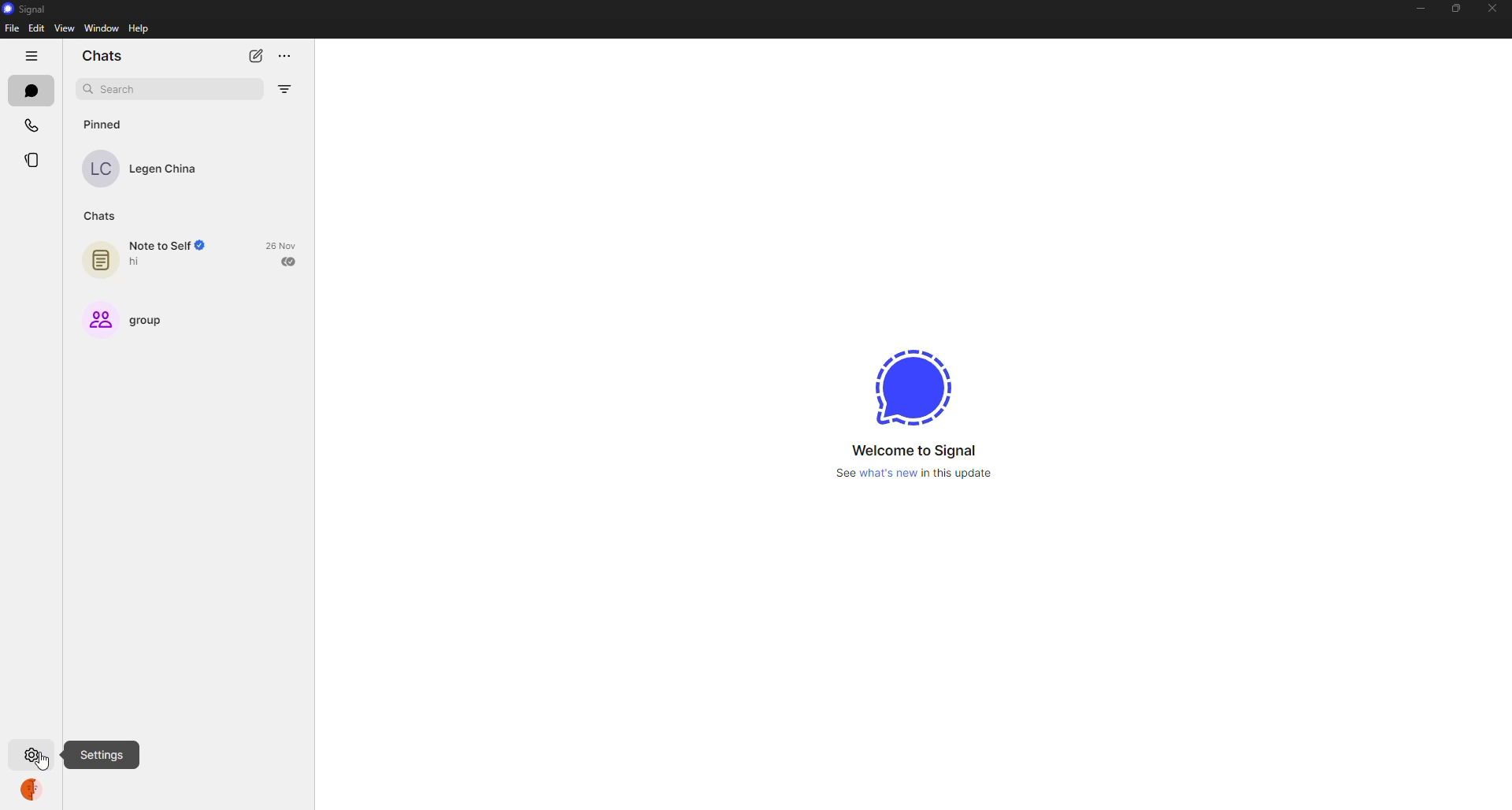 This screenshot has height=810, width=1512. I want to click on edit, so click(36, 28).